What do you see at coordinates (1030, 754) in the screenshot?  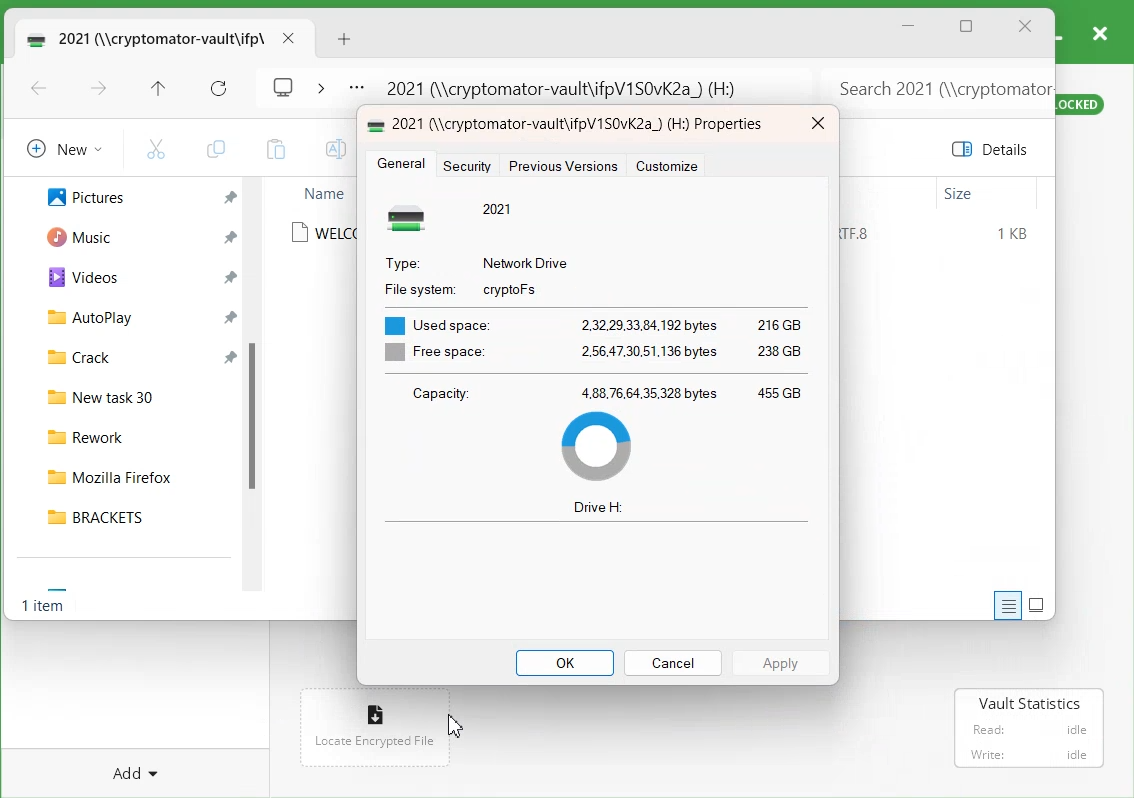 I see `Write: idle` at bounding box center [1030, 754].